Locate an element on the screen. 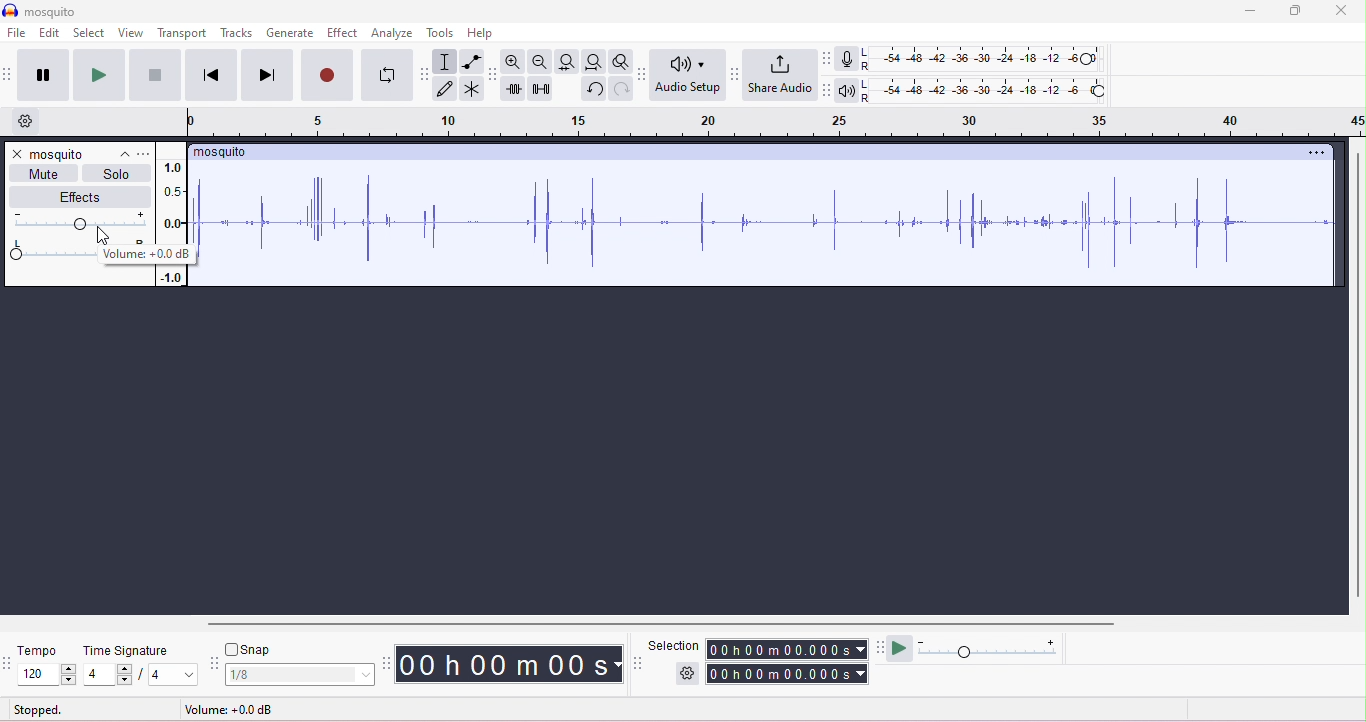  record is located at coordinates (329, 75).